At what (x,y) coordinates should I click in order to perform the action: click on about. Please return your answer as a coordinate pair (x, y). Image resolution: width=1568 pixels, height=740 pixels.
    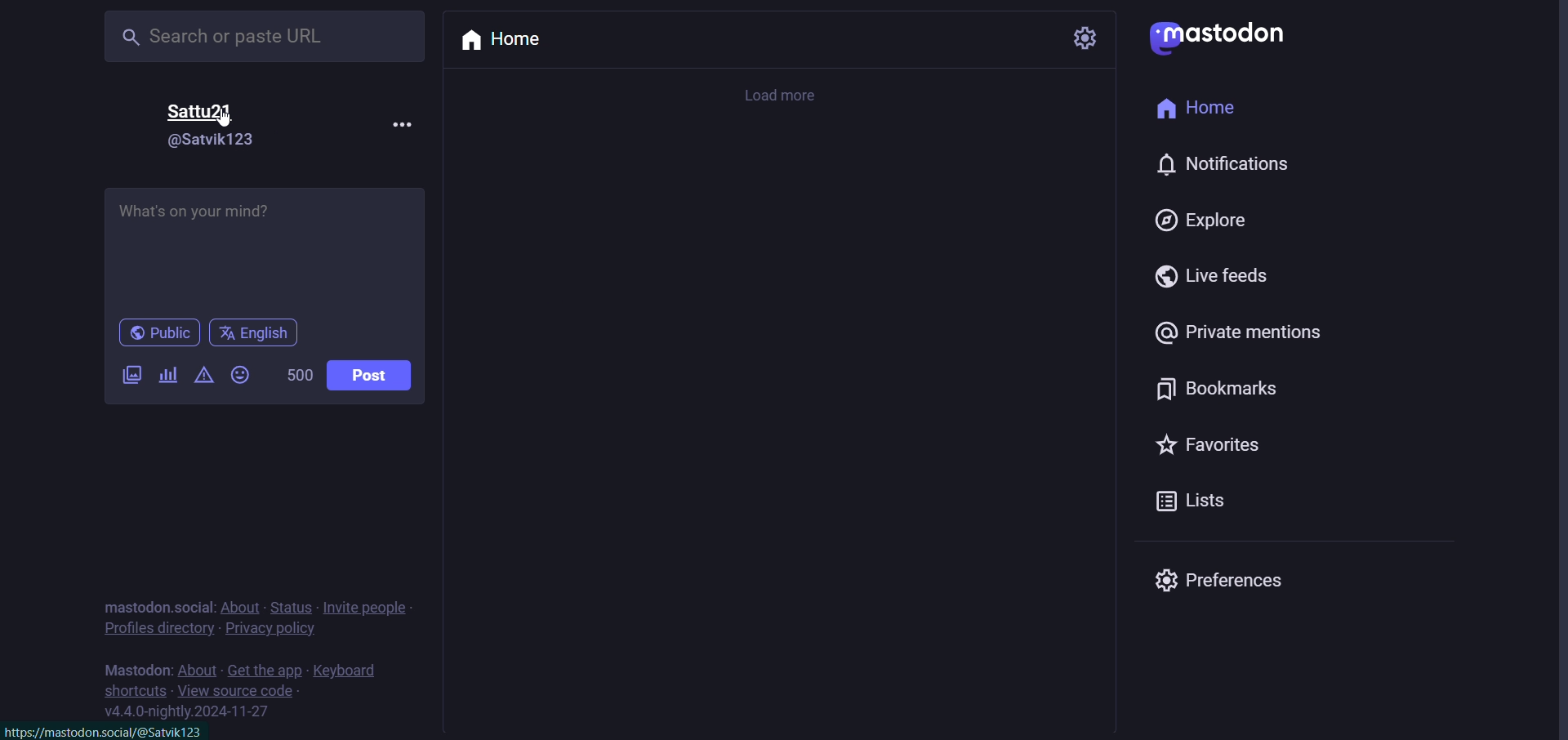
    Looking at the image, I should click on (198, 669).